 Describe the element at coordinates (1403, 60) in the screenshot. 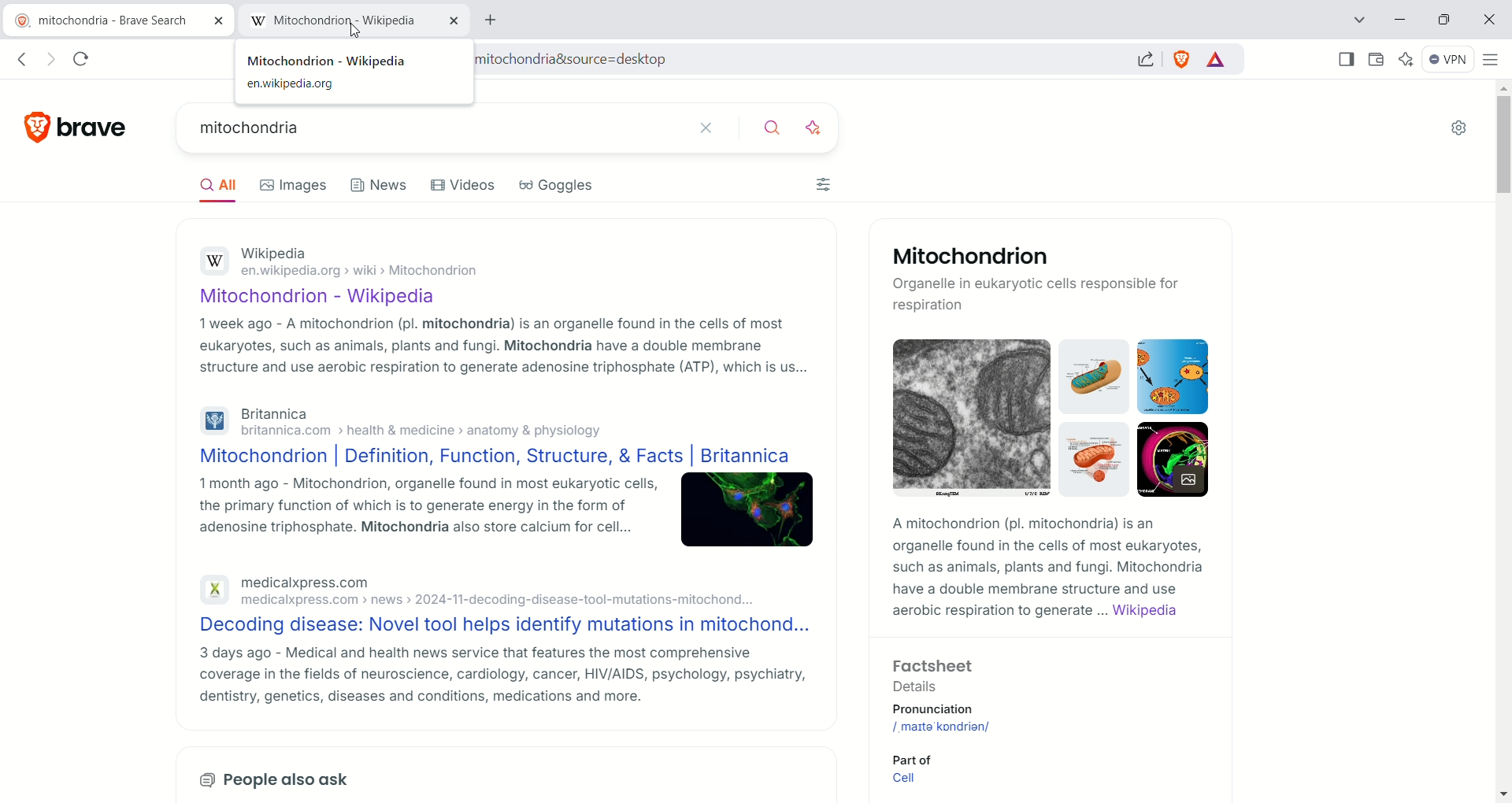

I see `leo ai` at that location.